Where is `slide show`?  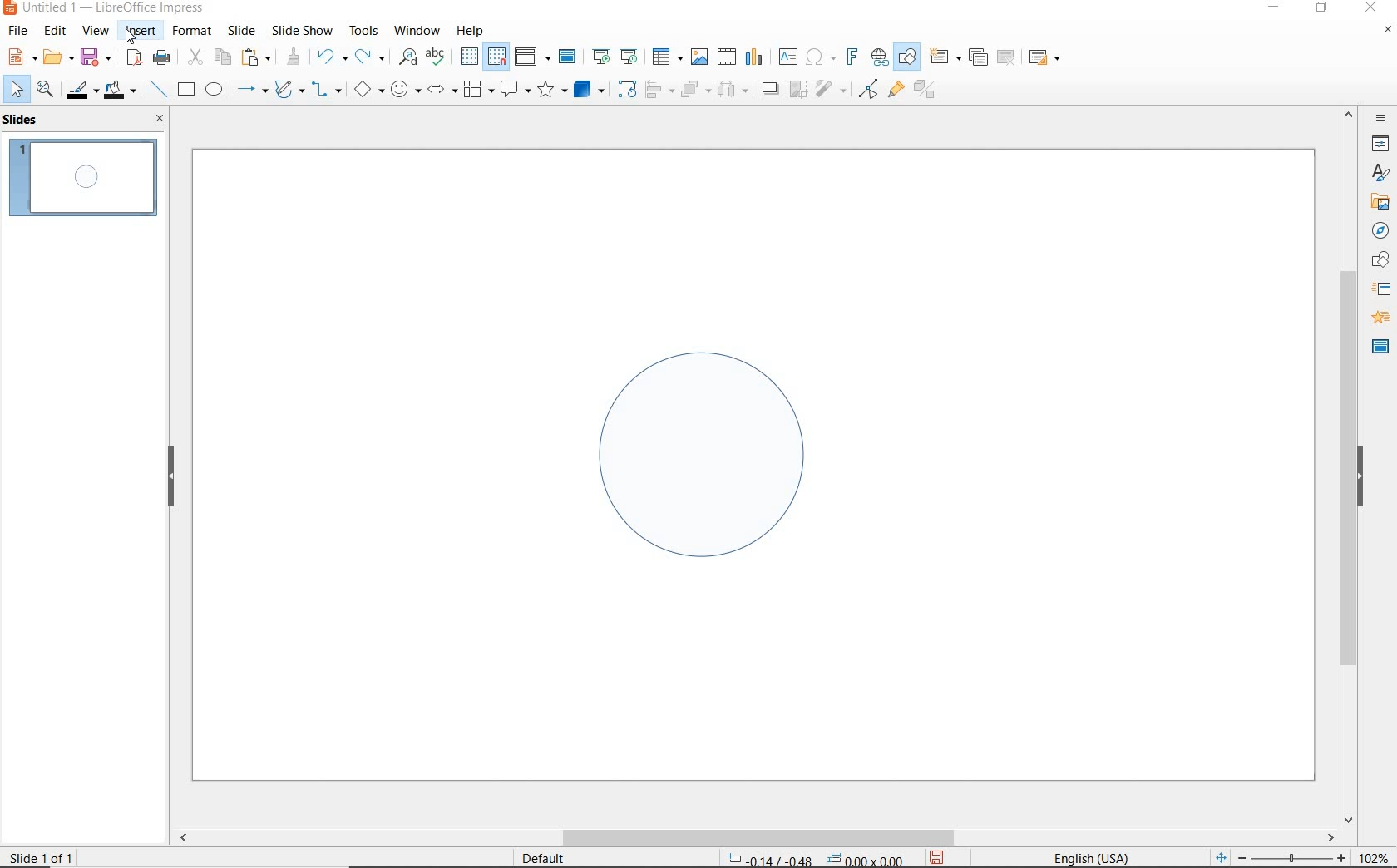 slide show is located at coordinates (301, 30).